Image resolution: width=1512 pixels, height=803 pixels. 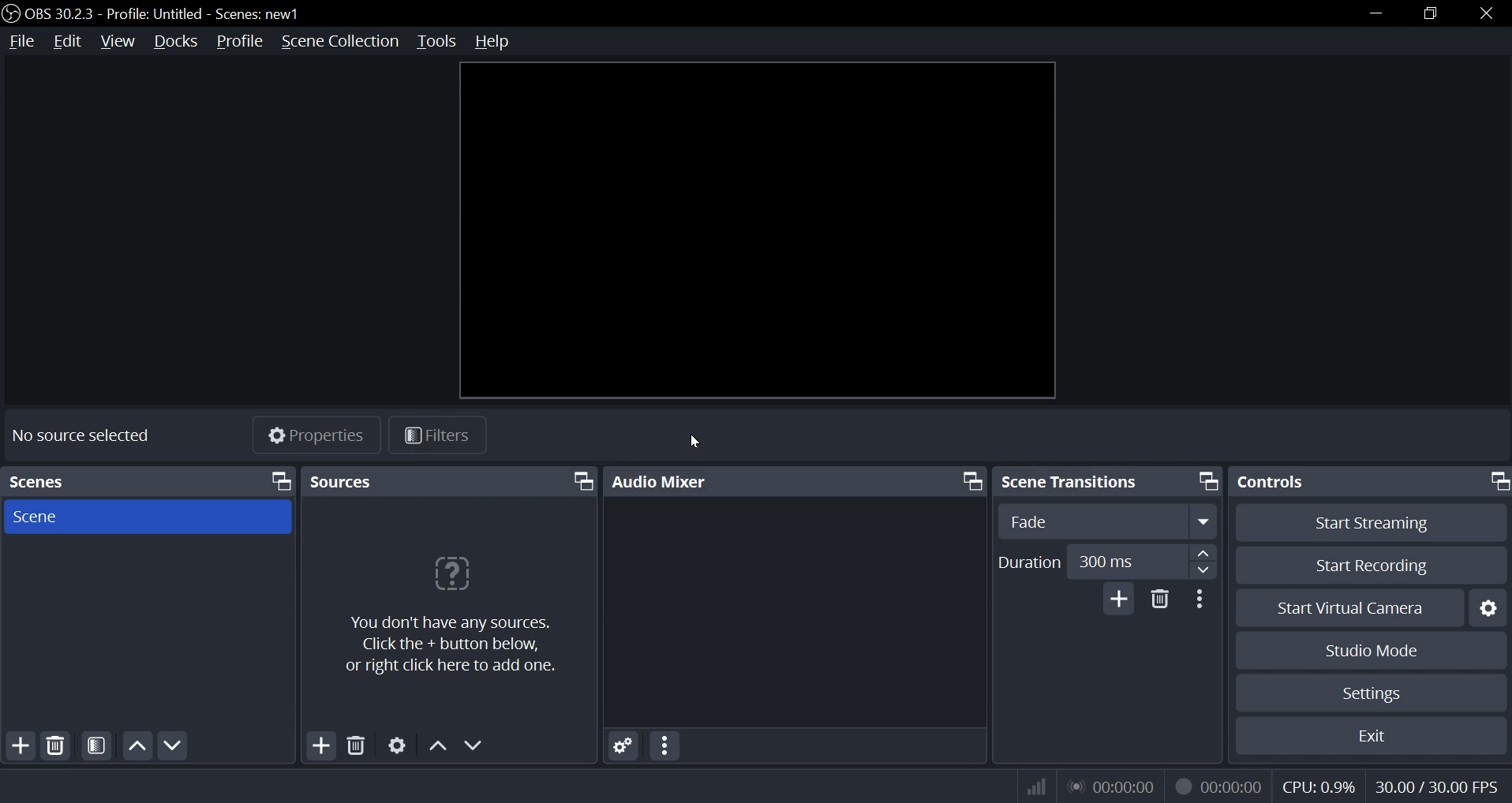 I want to click on You don't have any sources.
Click the + button below,
or right click here to add one., so click(x=461, y=645).